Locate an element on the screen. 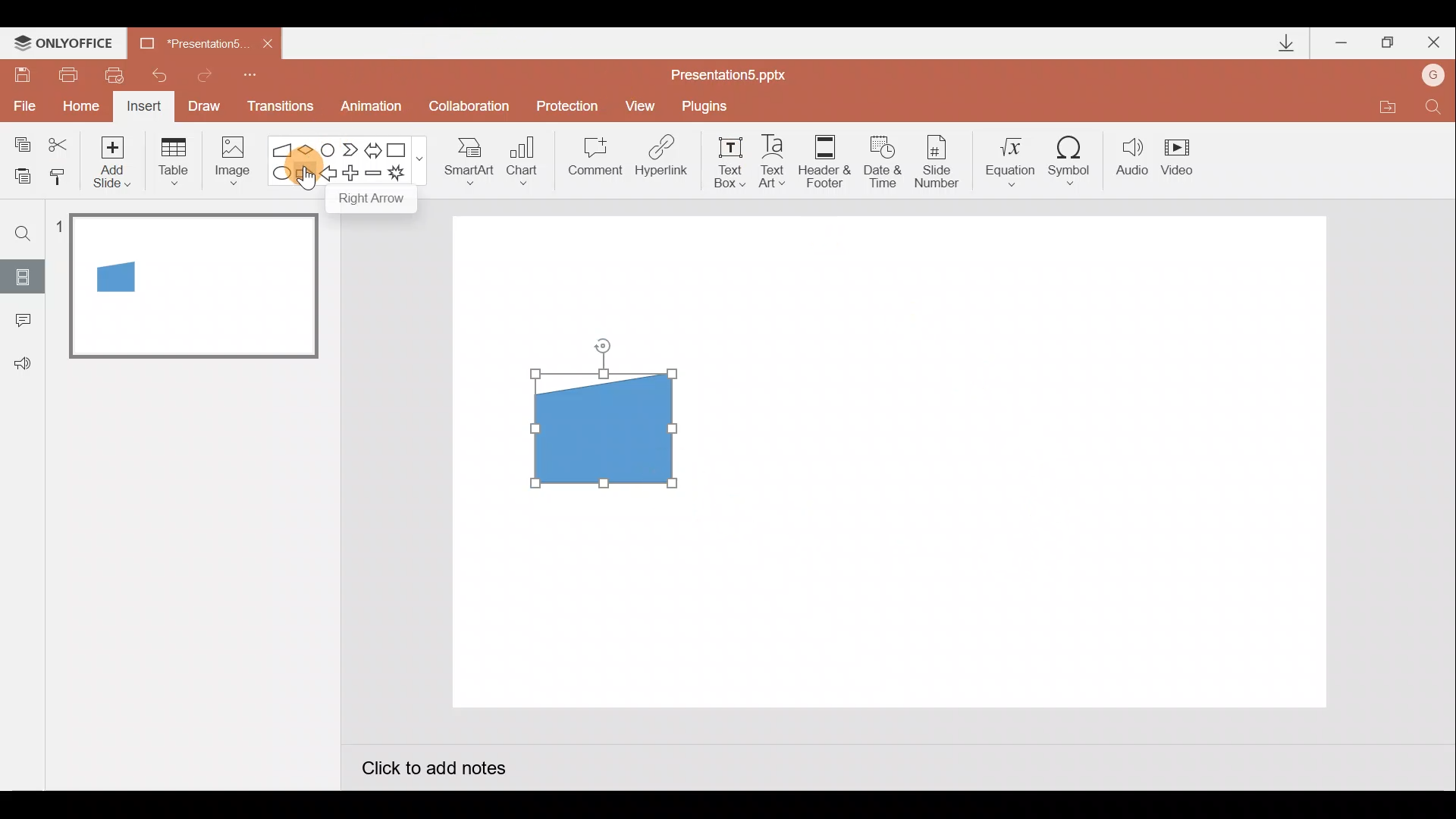  Slide pane is located at coordinates (196, 439).